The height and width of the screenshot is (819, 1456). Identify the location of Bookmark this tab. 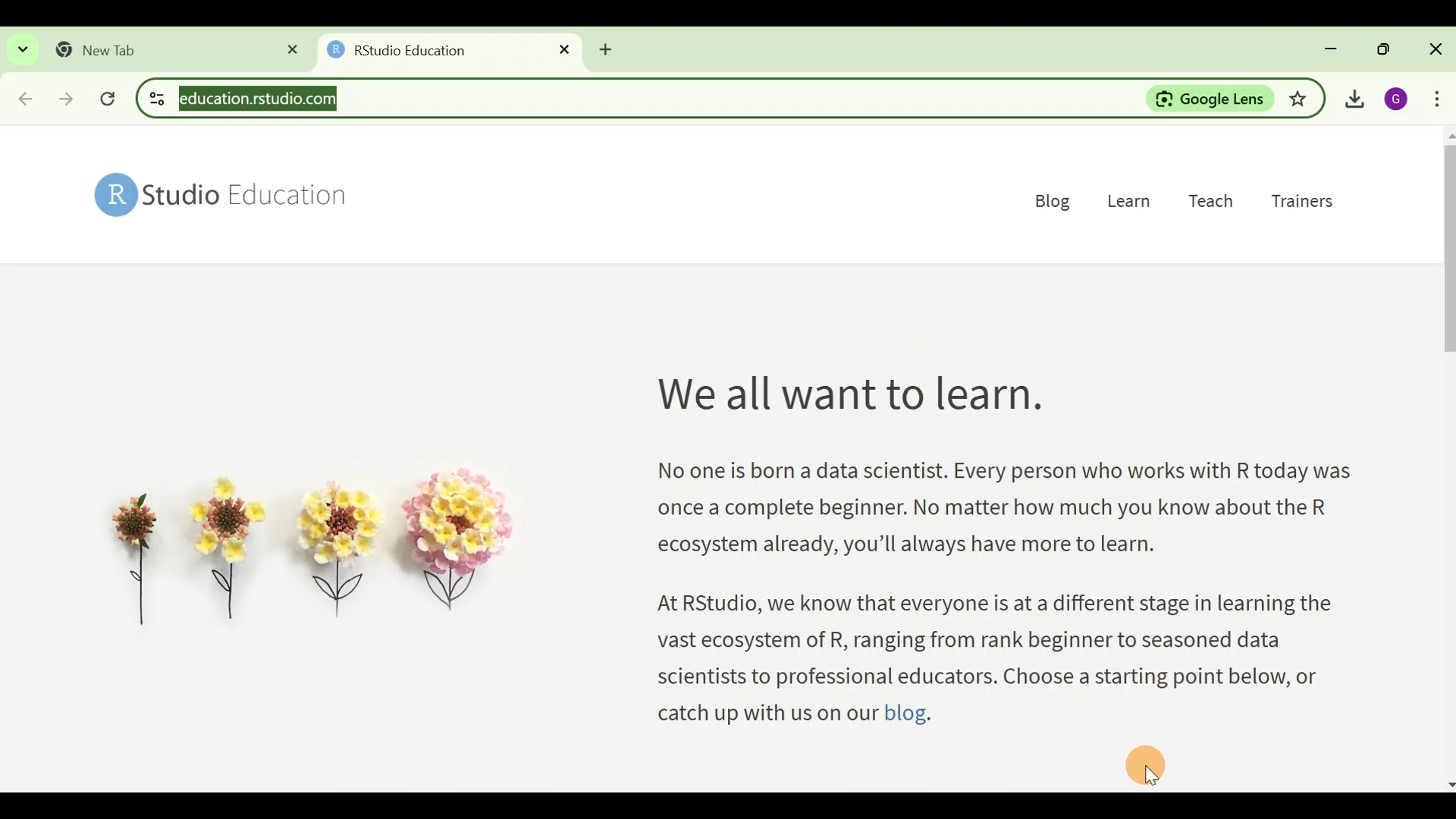
(1301, 97).